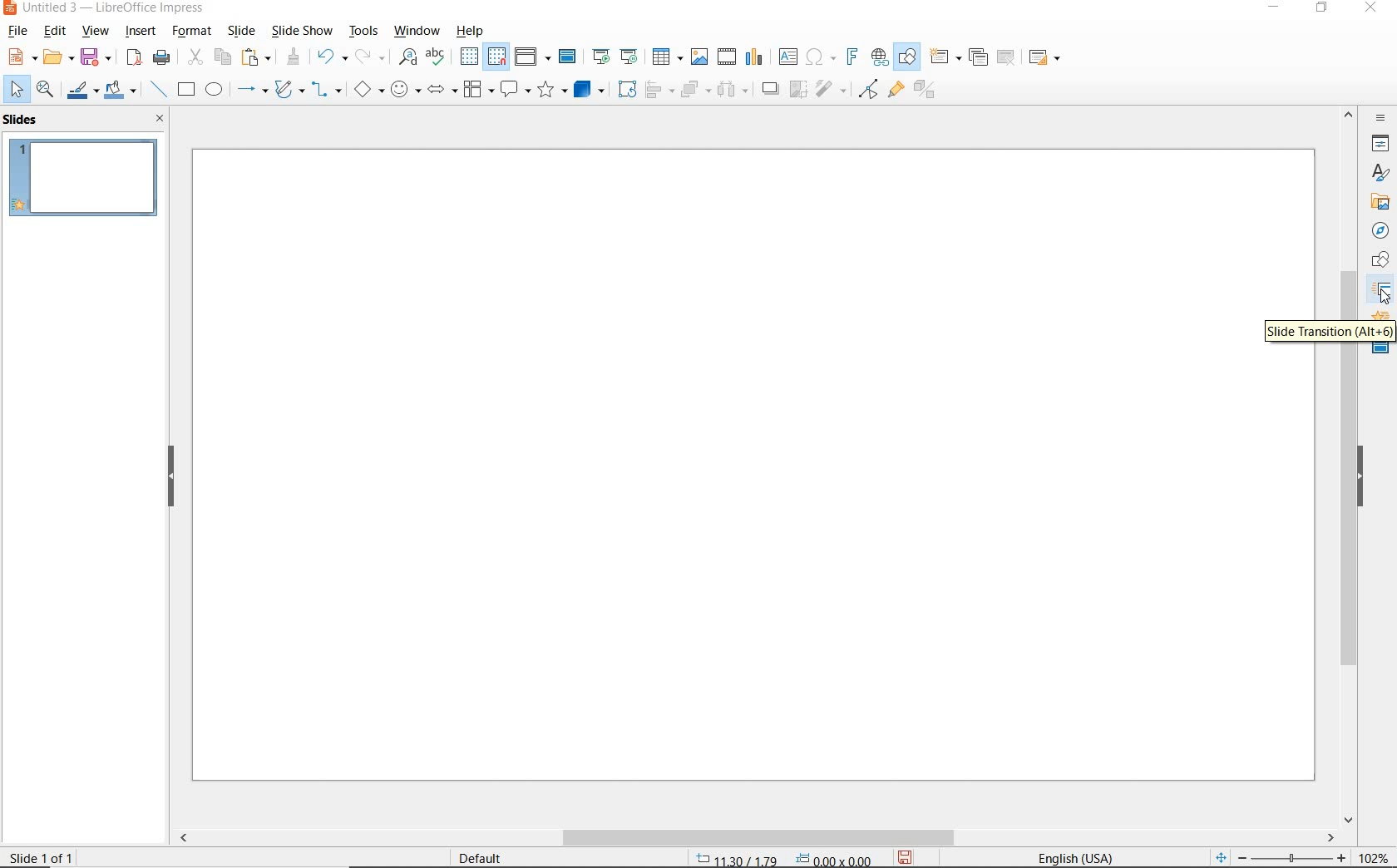 The image size is (1397, 868). I want to click on LINE COLOR, so click(83, 91).